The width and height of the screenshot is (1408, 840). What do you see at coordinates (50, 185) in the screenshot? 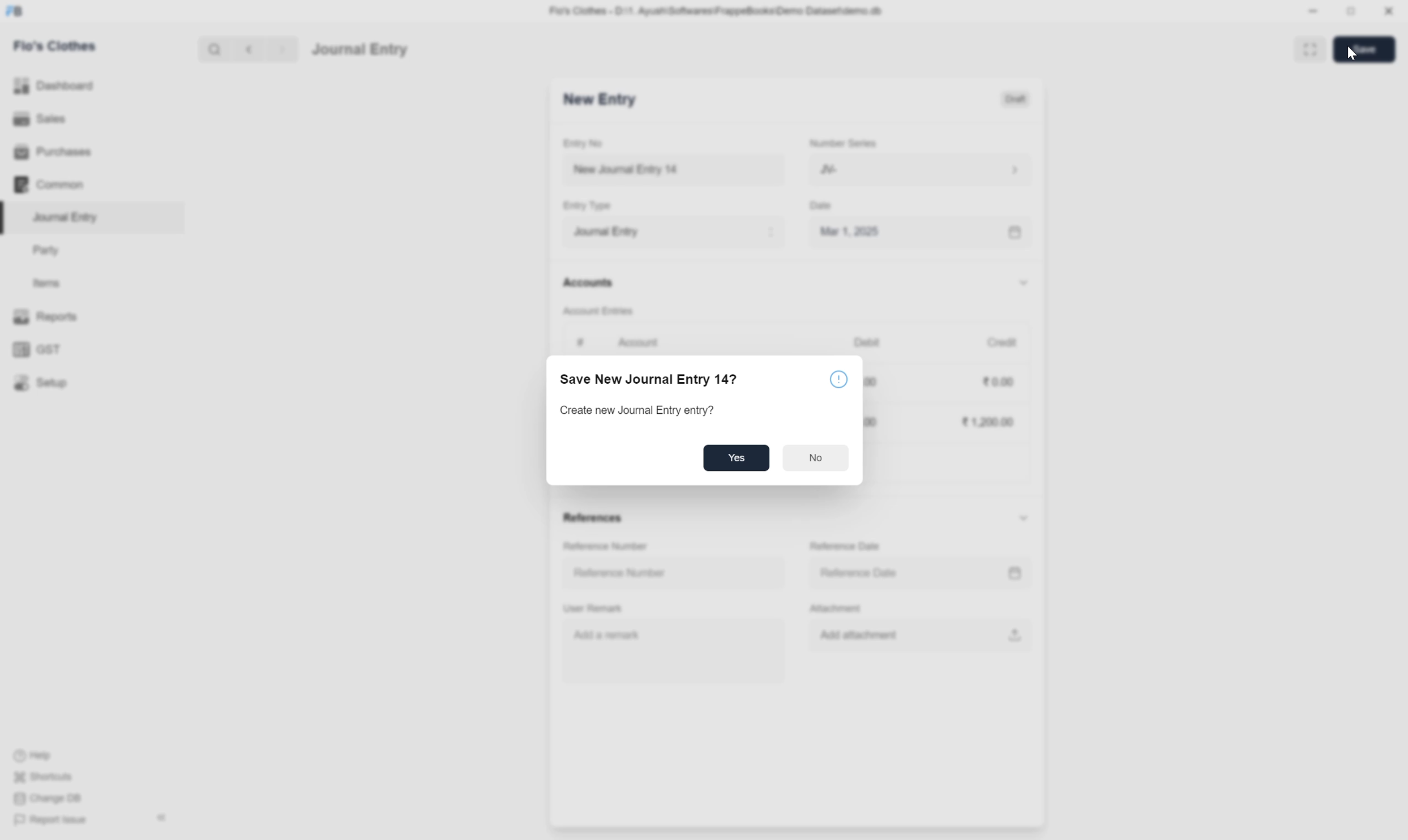
I see `Common` at bounding box center [50, 185].